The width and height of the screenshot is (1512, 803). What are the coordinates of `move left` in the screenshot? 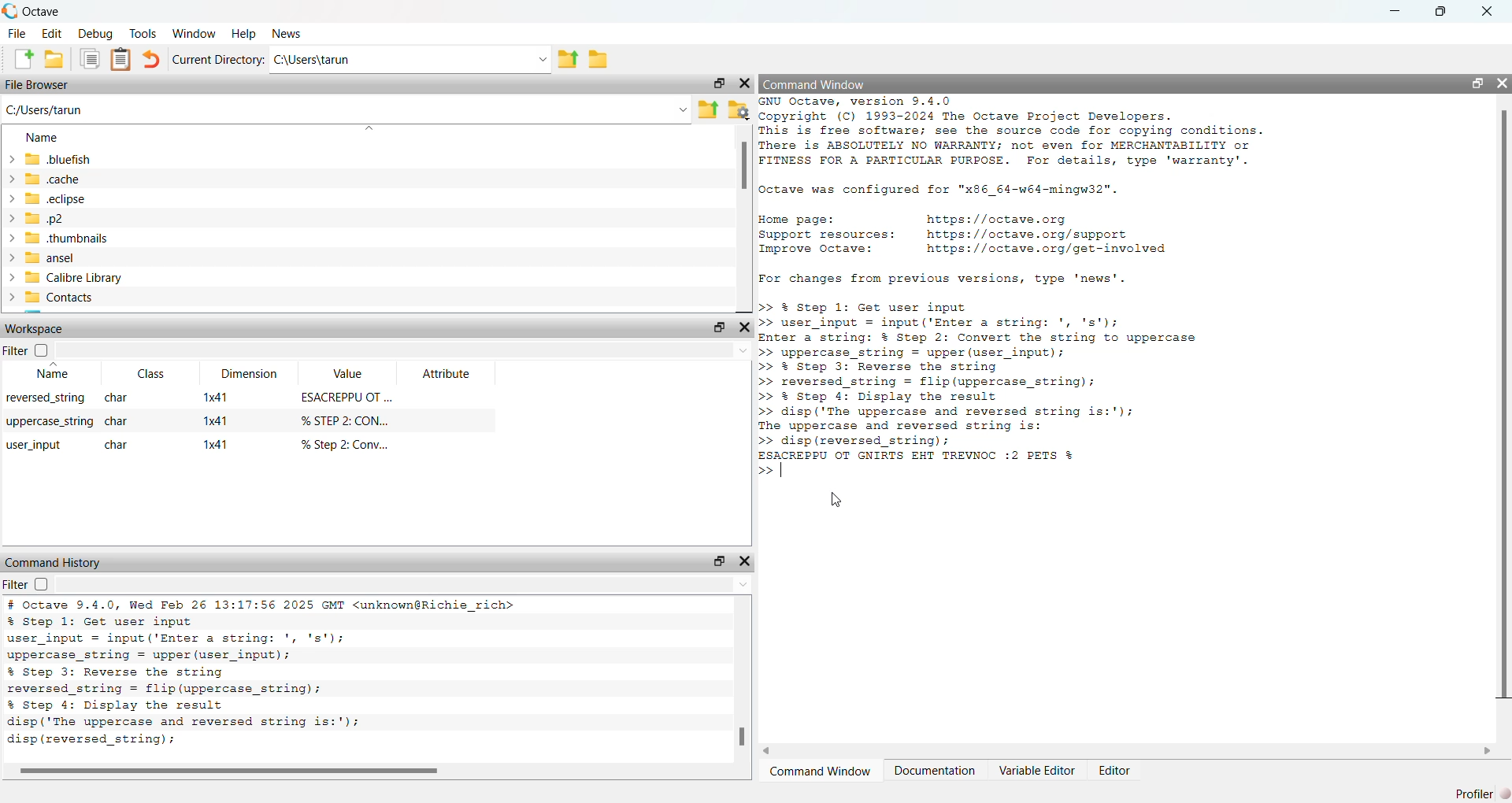 It's located at (769, 749).